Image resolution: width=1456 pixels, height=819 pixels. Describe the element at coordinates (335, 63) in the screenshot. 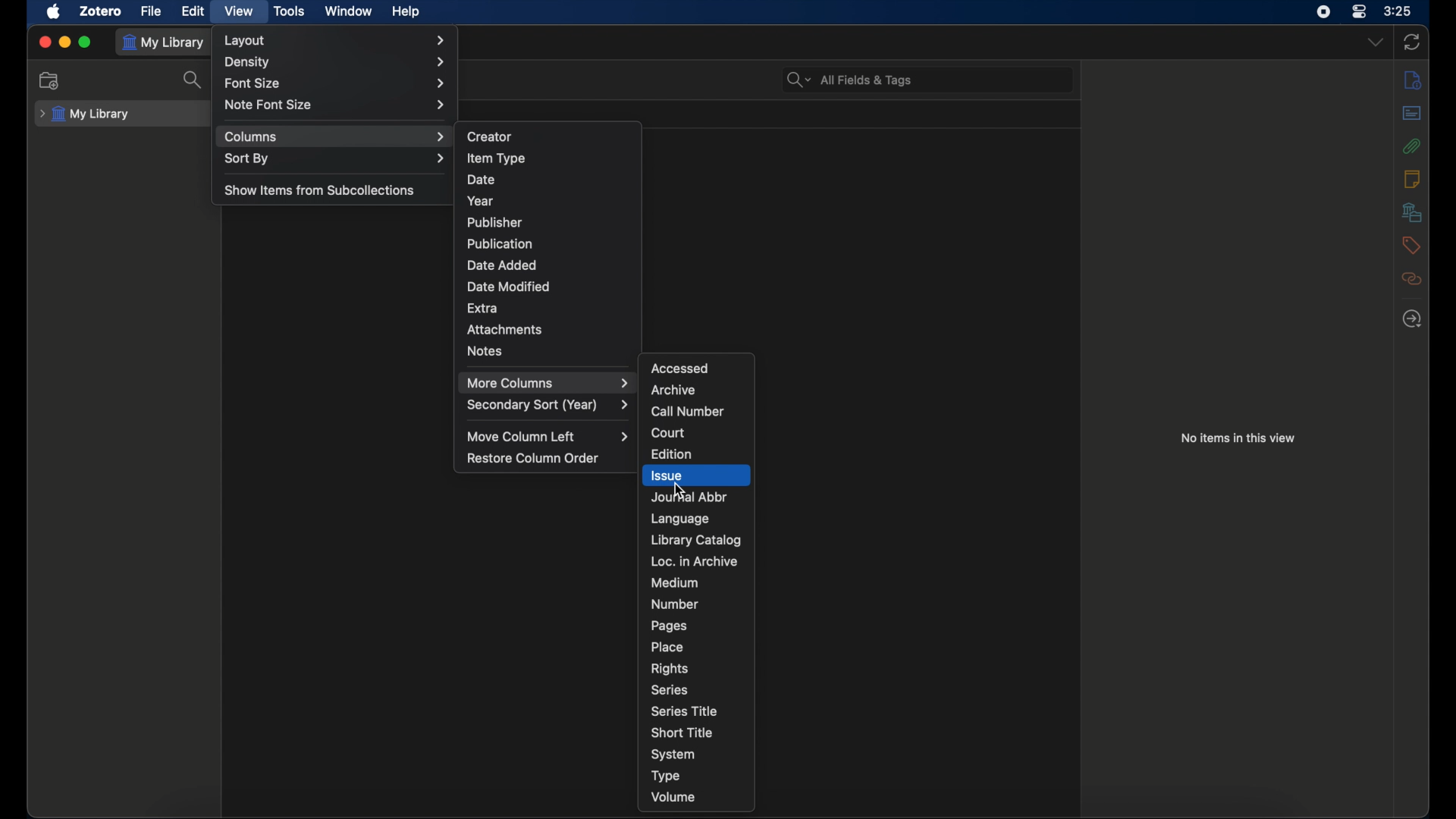

I see `density` at that location.